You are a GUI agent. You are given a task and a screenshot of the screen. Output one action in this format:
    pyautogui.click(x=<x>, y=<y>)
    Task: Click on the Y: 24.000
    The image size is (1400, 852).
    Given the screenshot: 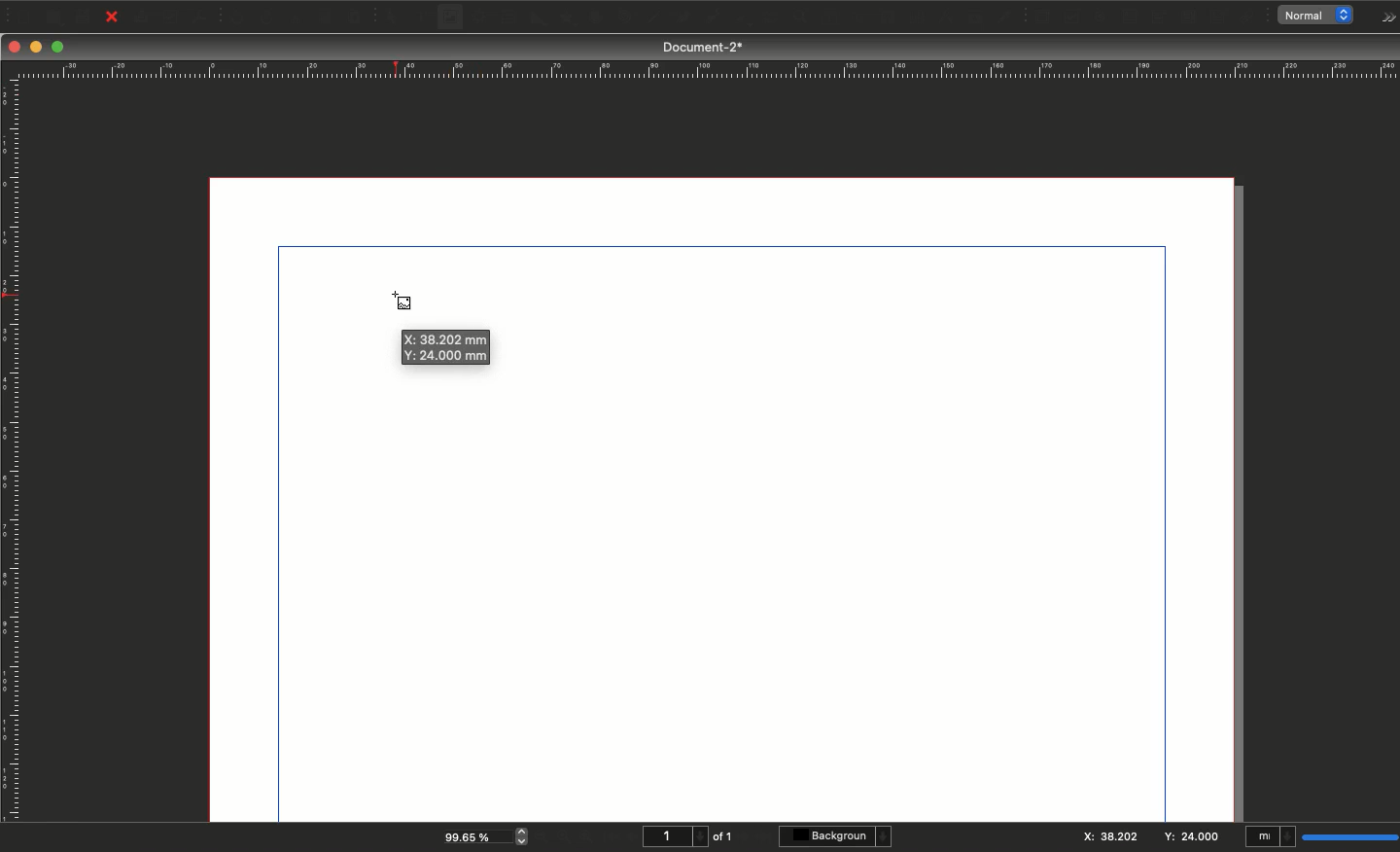 What is the action you would take?
    pyautogui.click(x=1190, y=837)
    